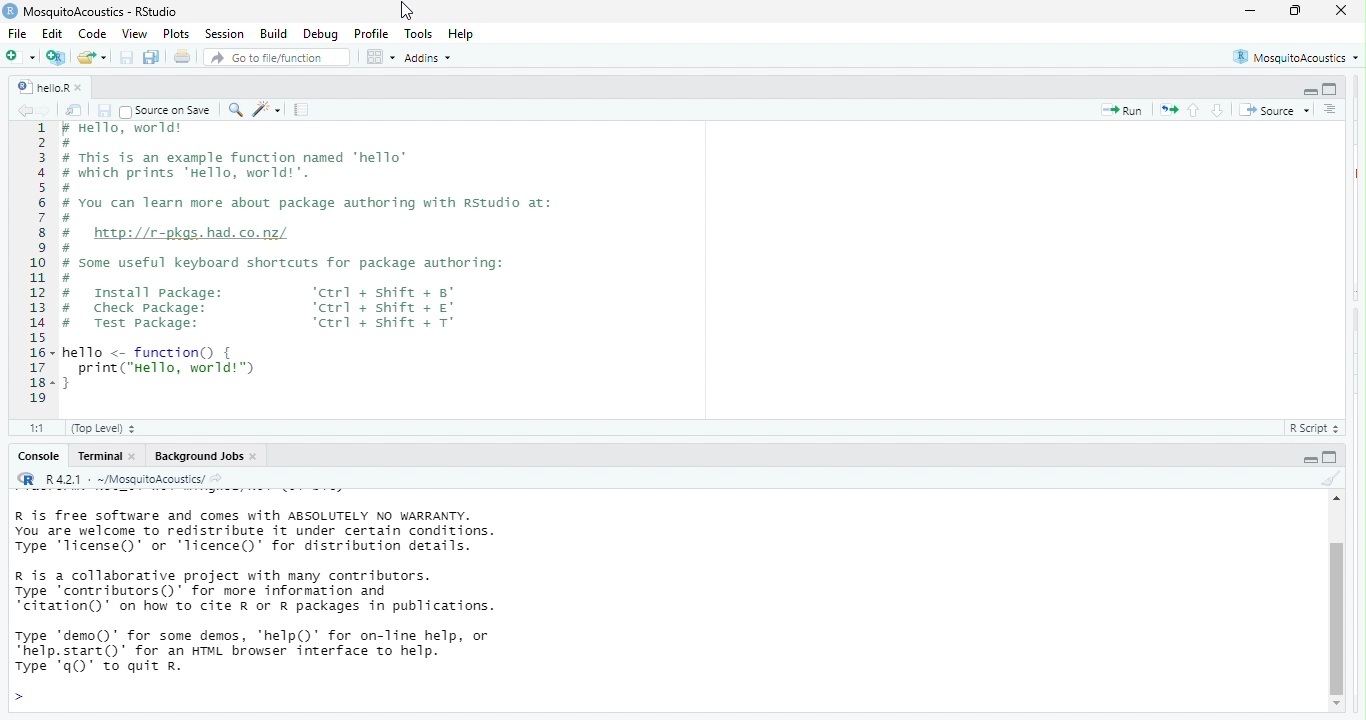 The width and height of the screenshot is (1366, 720). What do you see at coordinates (34, 429) in the screenshot?
I see `1:1` at bounding box center [34, 429].